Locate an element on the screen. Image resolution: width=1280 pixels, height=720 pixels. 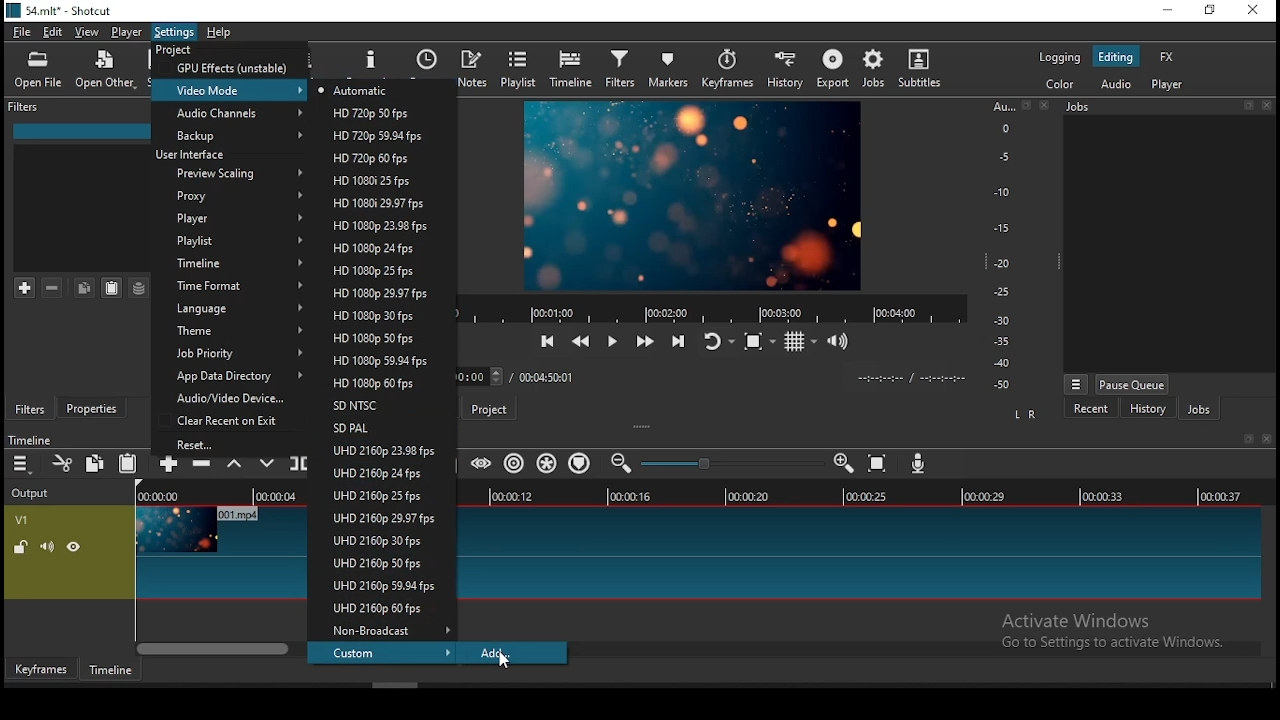
scroll bar is located at coordinates (215, 648).